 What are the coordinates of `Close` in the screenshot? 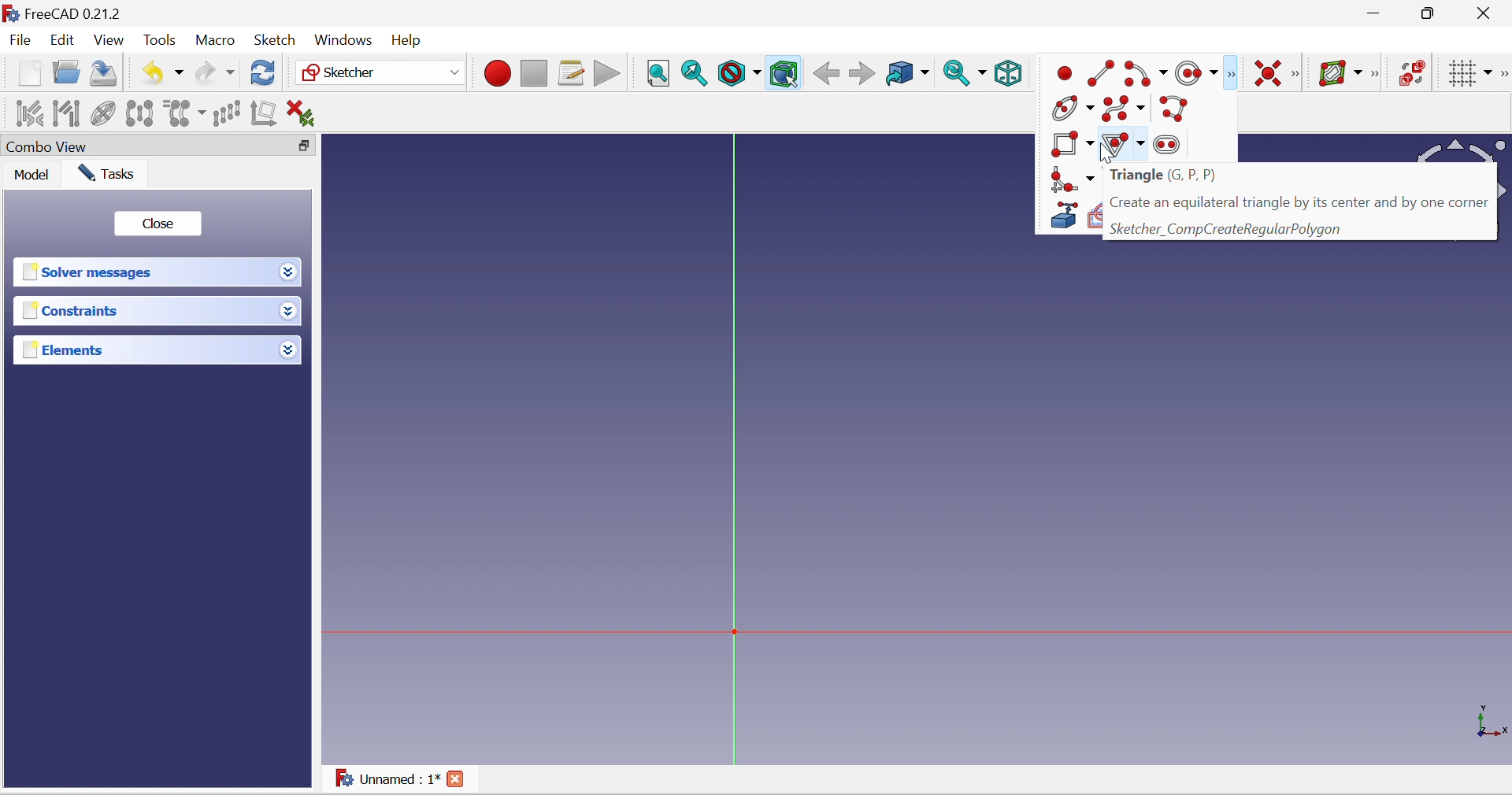 It's located at (454, 778).